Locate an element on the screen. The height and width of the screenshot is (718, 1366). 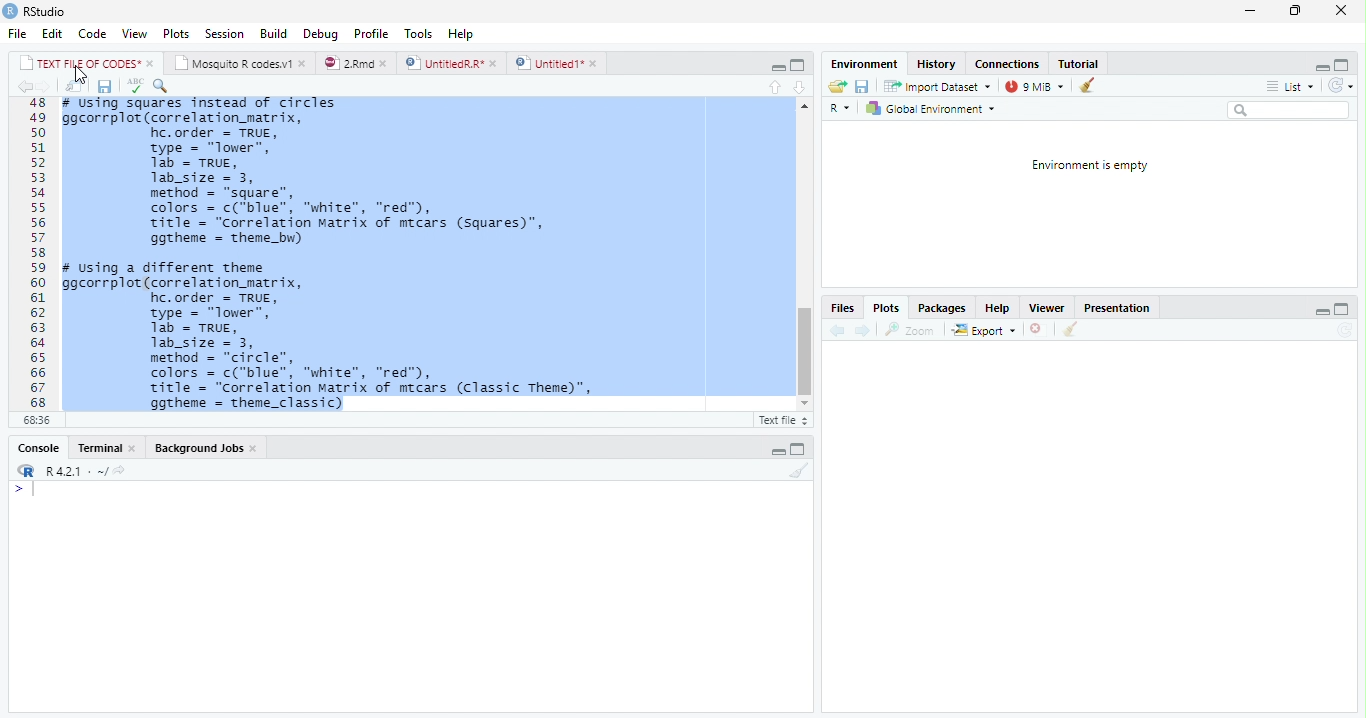
orrplot (correlation matrix,hc.order = TRUE,type = “lower”,lab = TRUE,lab_size = 3,method = “square”,colors = c("blue”, “white”, “red"),title = "Correlation Matrix of mtcars (squares)”,ggthene = theme_bw)sing a different themeorrplot{correlation_matrix,hc.order = TRUE,type = “lower”,lab = TRUE,lab_size = 3,method = “circle”,colors = c("blue”, “white”, “red”),title = "Correlation Matrix of mecars (Classic Theme)”,  is located at coordinates (421, 254).